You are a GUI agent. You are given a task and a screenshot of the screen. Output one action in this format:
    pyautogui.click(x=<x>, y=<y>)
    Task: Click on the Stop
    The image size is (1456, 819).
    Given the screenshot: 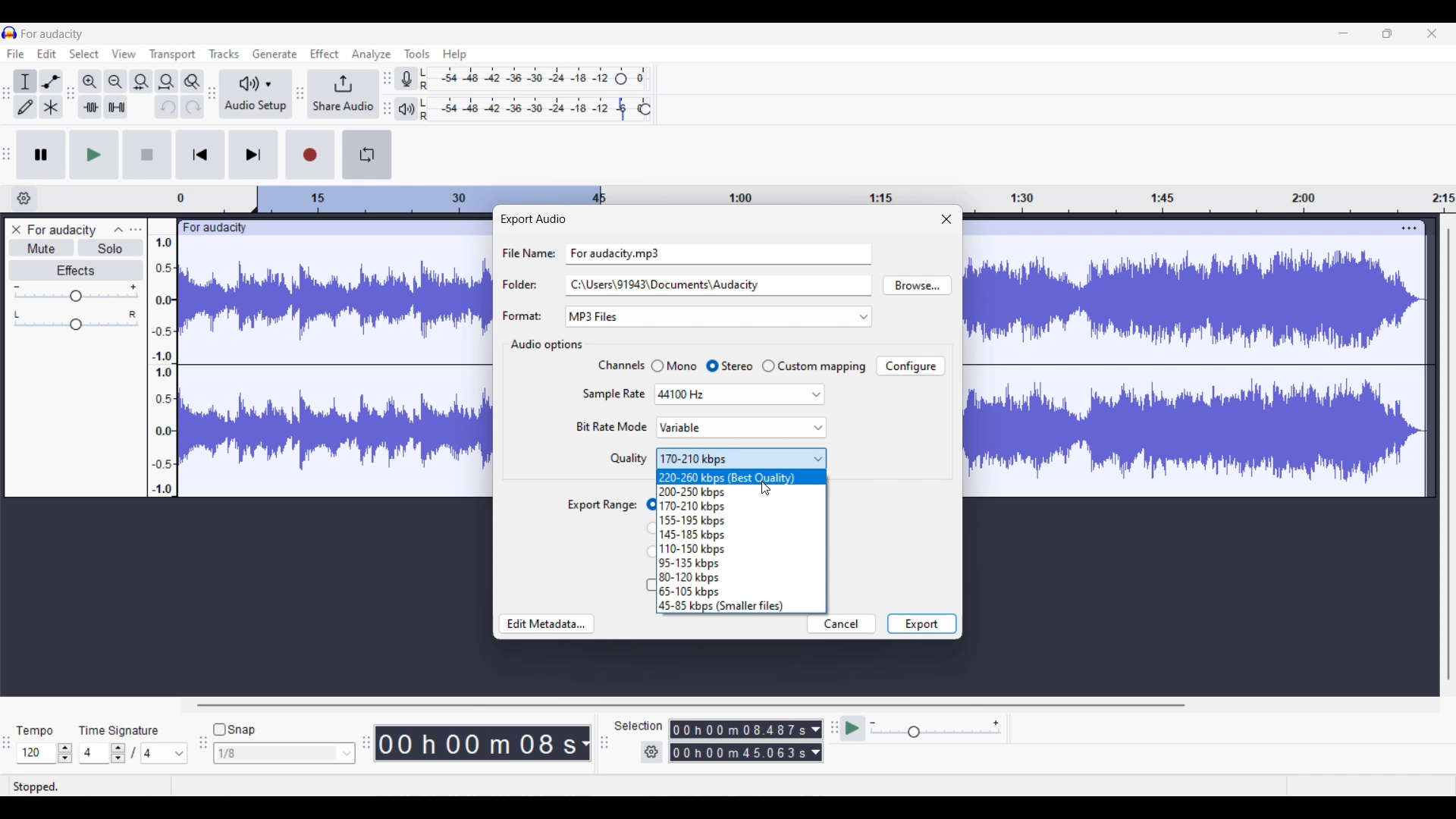 What is the action you would take?
    pyautogui.click(x=147, y=154)
    